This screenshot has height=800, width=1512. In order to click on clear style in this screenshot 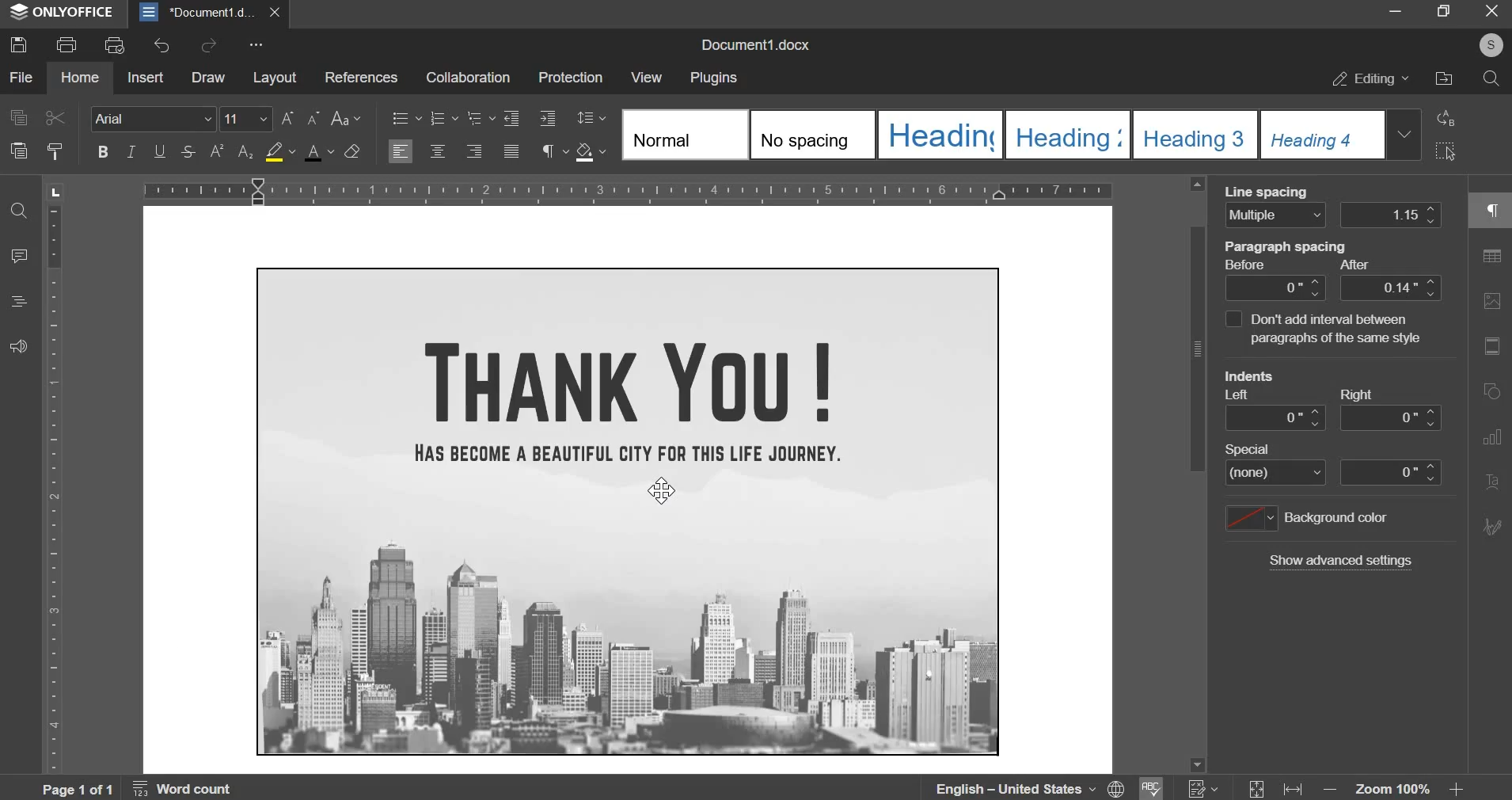, I will do `click(352, 152)`.